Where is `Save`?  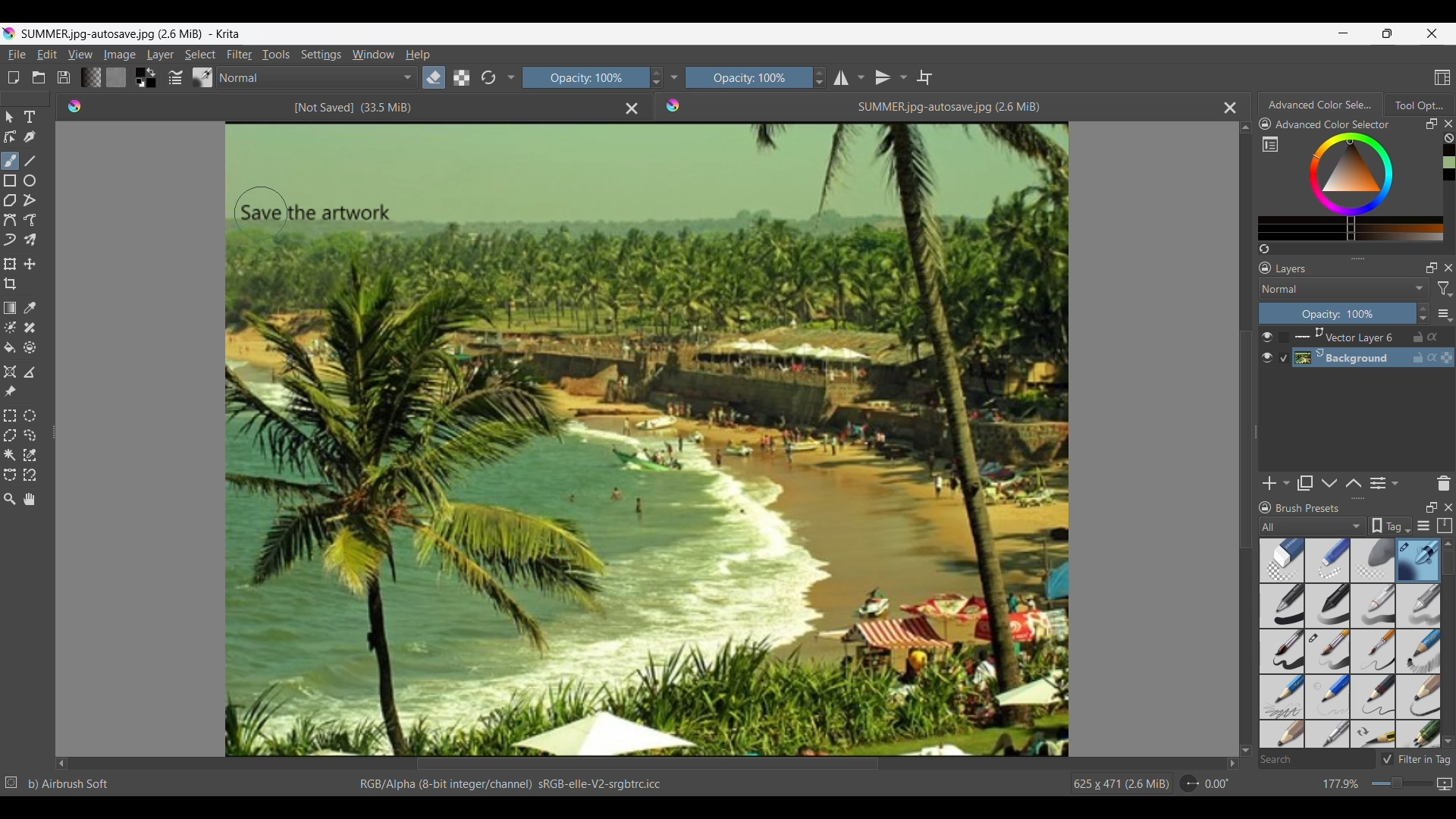
Save is located at coordinates (64, 77).